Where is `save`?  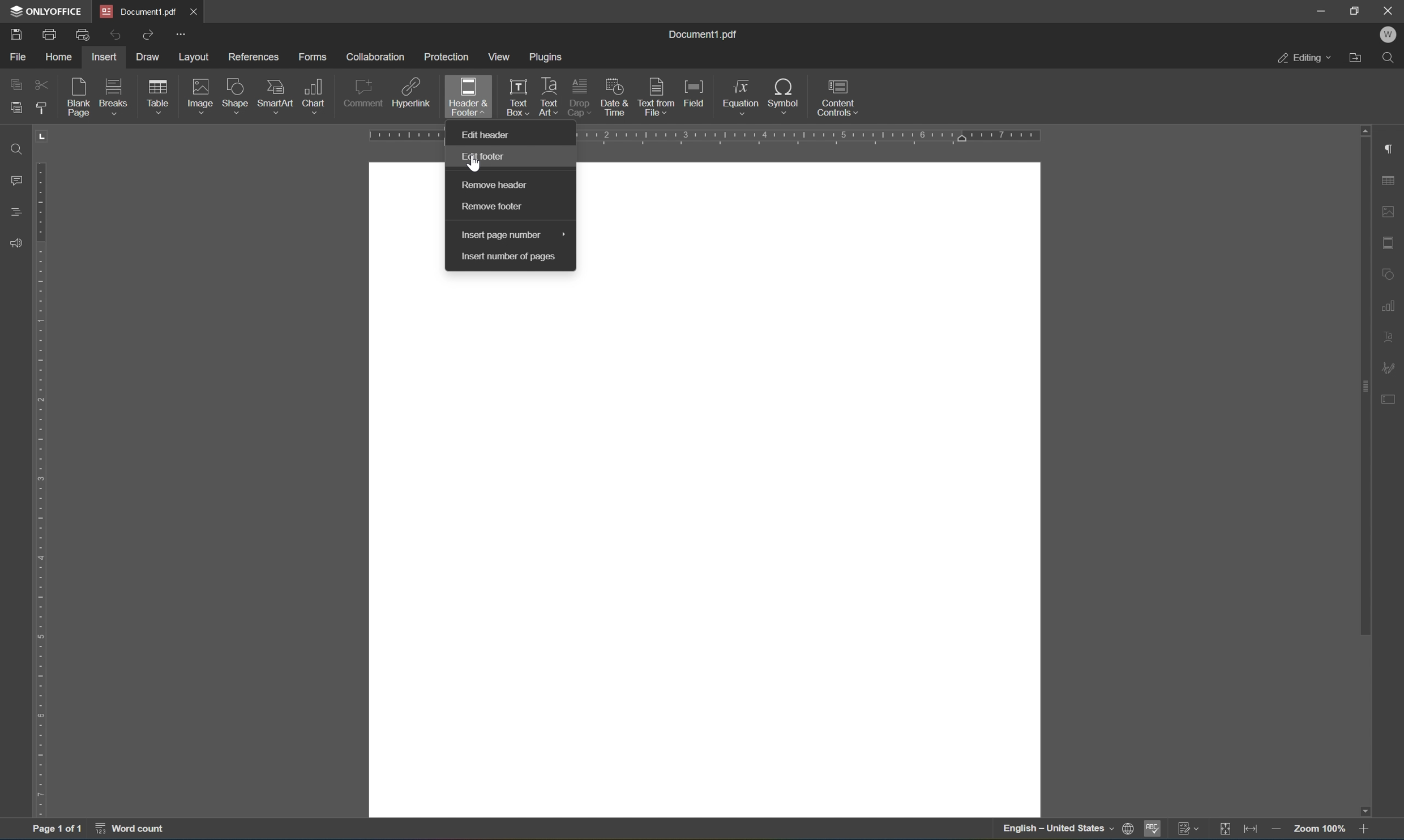 save is located at coordinates (14, 34).